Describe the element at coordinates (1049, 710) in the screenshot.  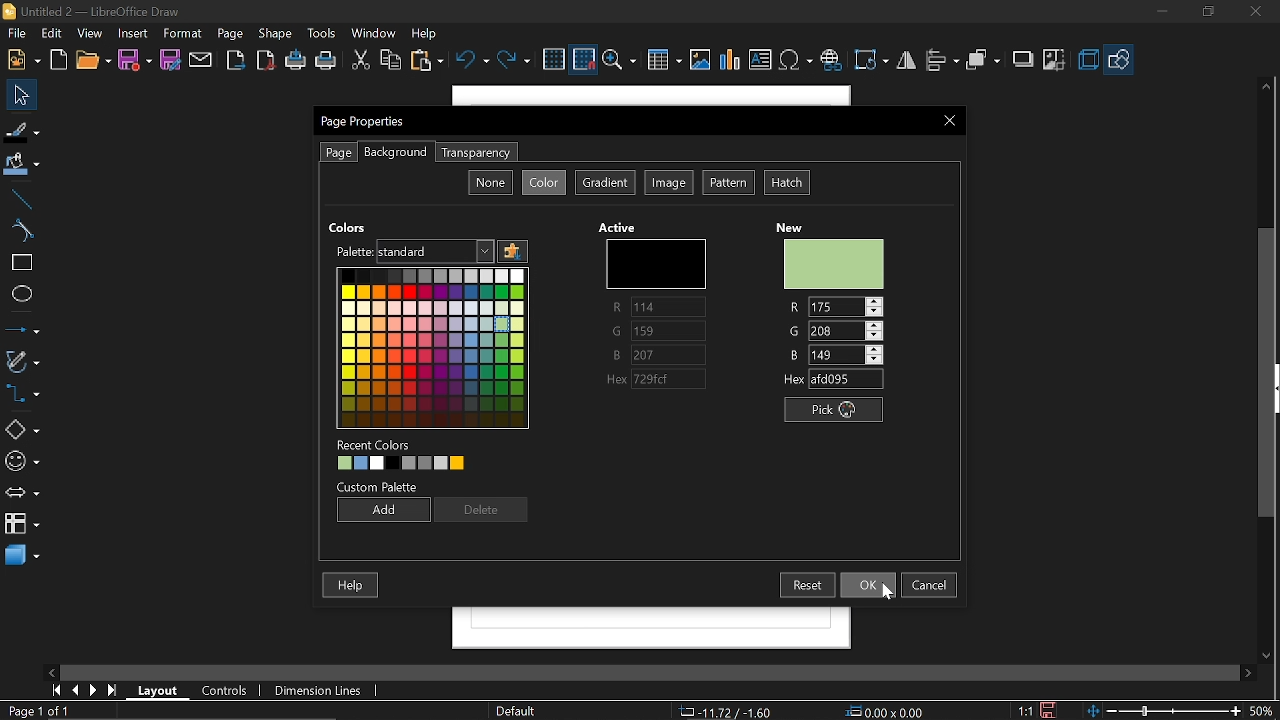
I see `Save` at that location.